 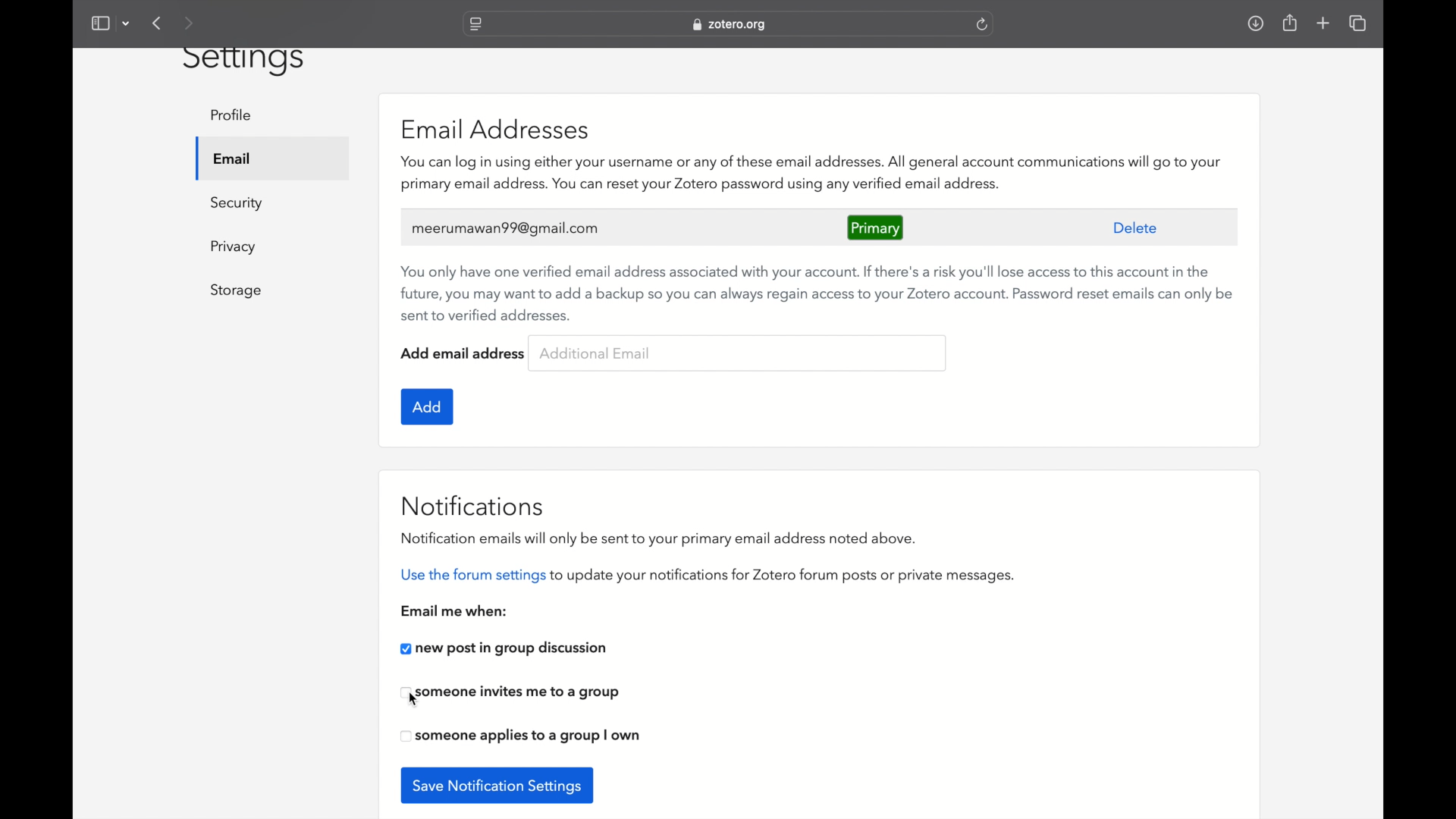 I want to click on website settings, so click(x=475, y=24).